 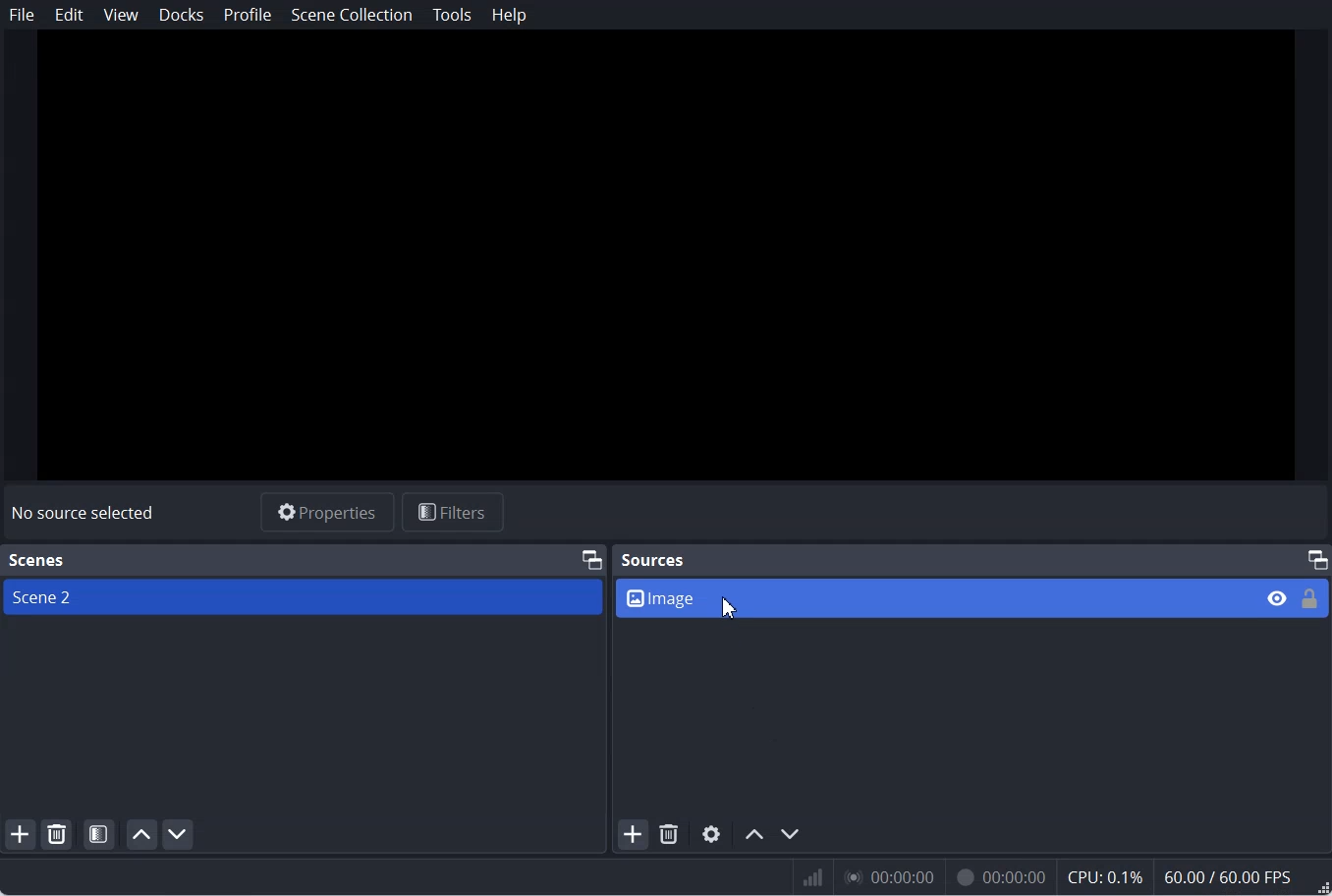 I want to click on Source, so click(x=972, y=600).